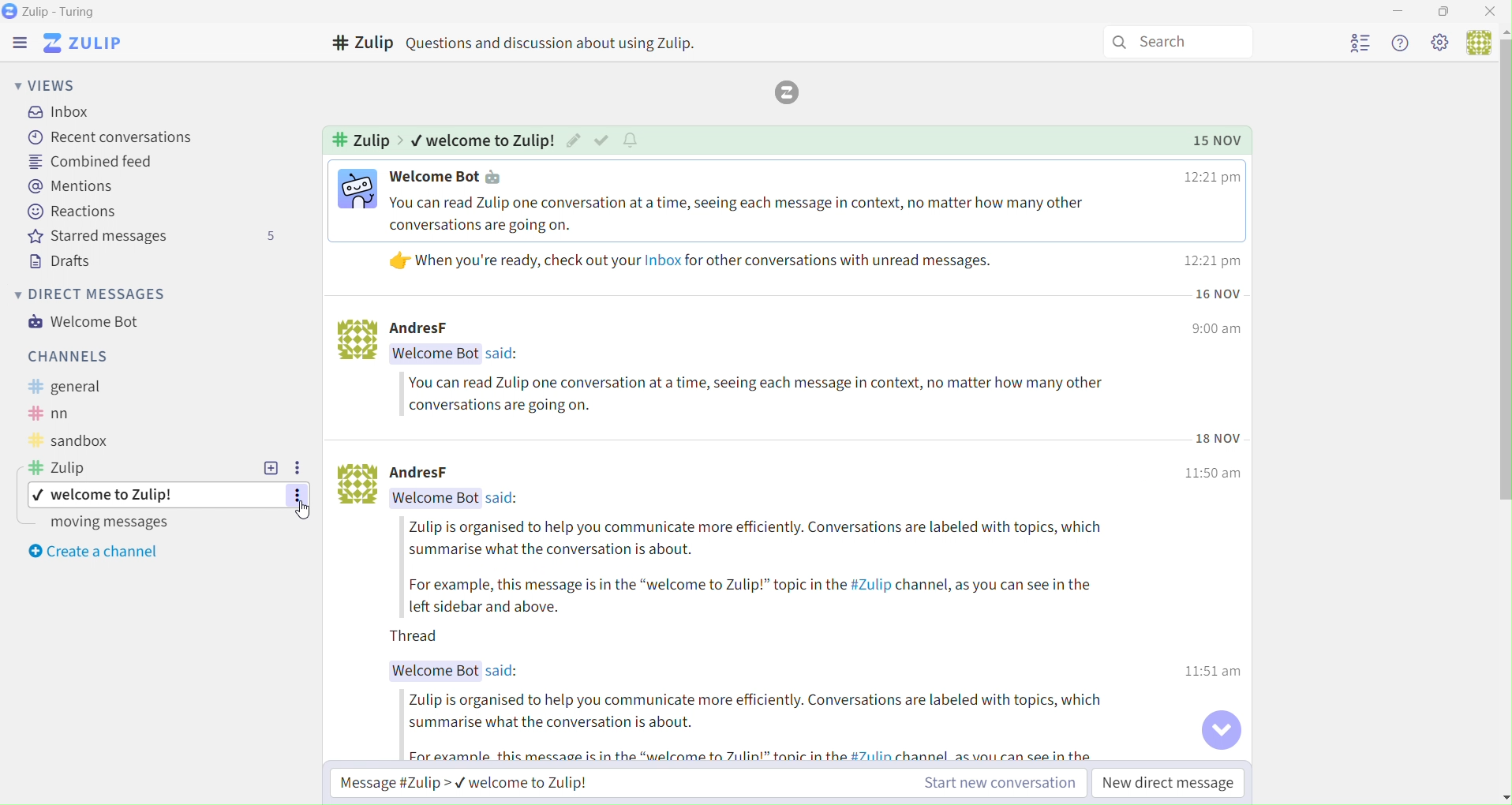 Image resolution: width=1512 pixels, height=805 pixels. Describe the element at coordinates (422, 636) in the screenshot. I see `Text` at that location.